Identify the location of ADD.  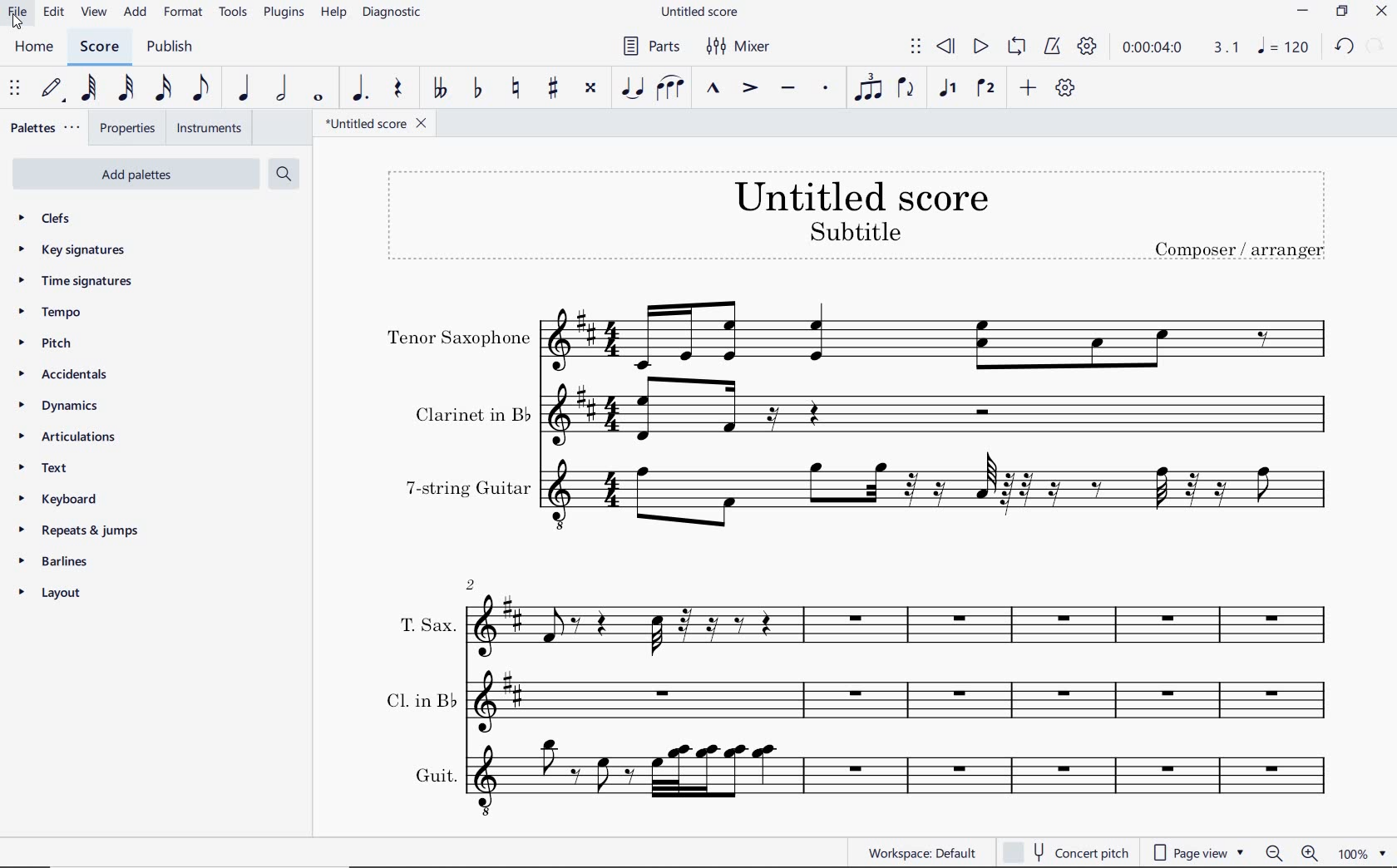
(136, 13).